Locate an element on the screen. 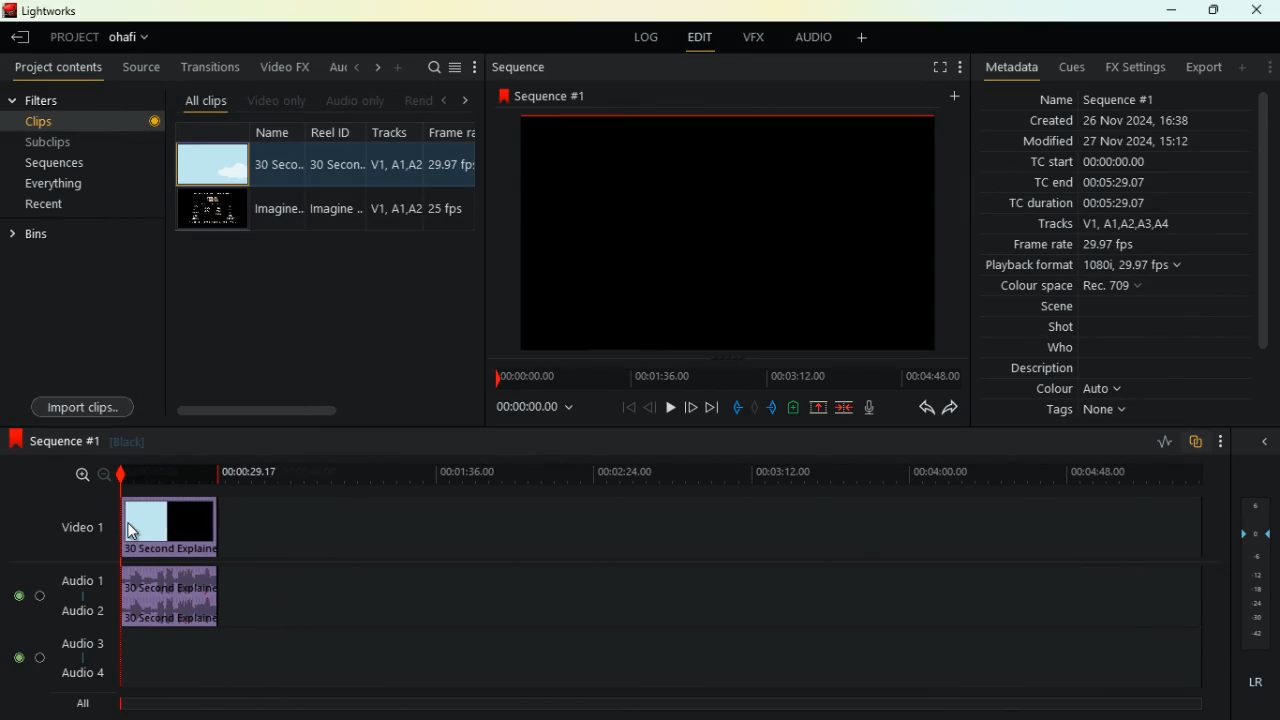 This screenshot has width=1280, height=720. subclips is located at coordinates (54, 143).